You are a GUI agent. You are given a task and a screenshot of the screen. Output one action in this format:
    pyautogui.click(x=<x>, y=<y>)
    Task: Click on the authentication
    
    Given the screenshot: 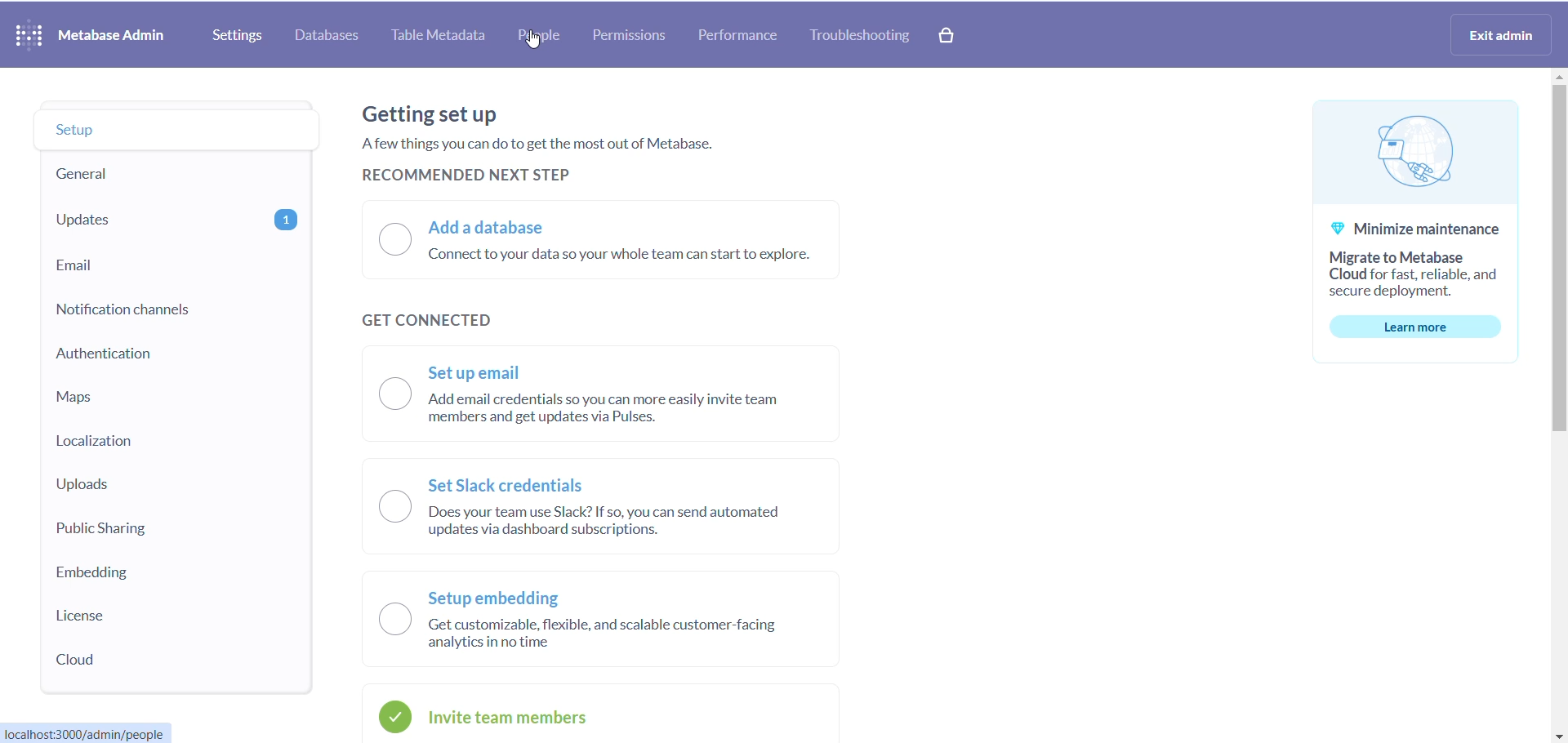 What is the action you would take?
    pyautogui.click(x=161, y=358)
    